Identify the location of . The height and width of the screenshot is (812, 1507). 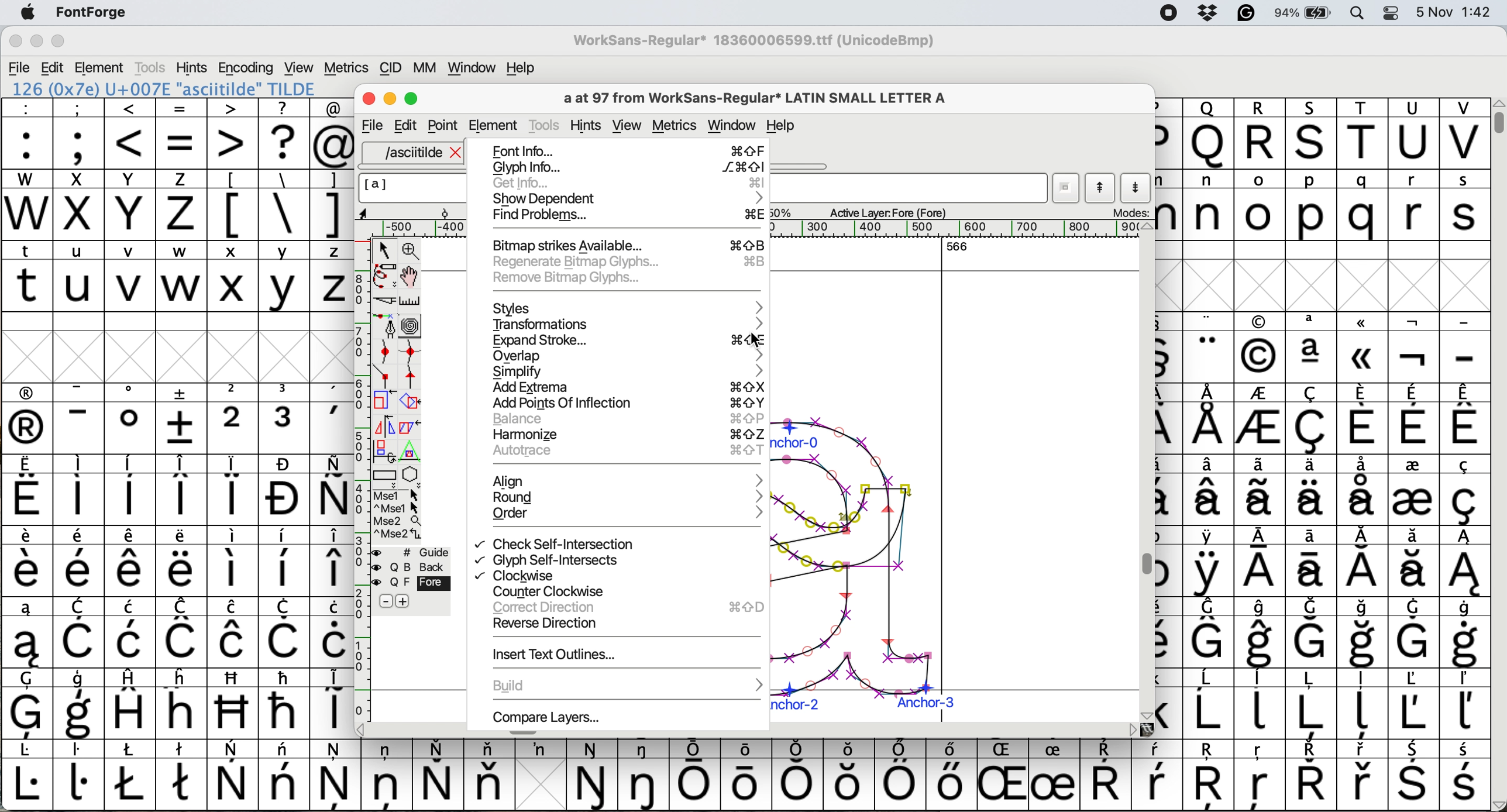
(850, 775).